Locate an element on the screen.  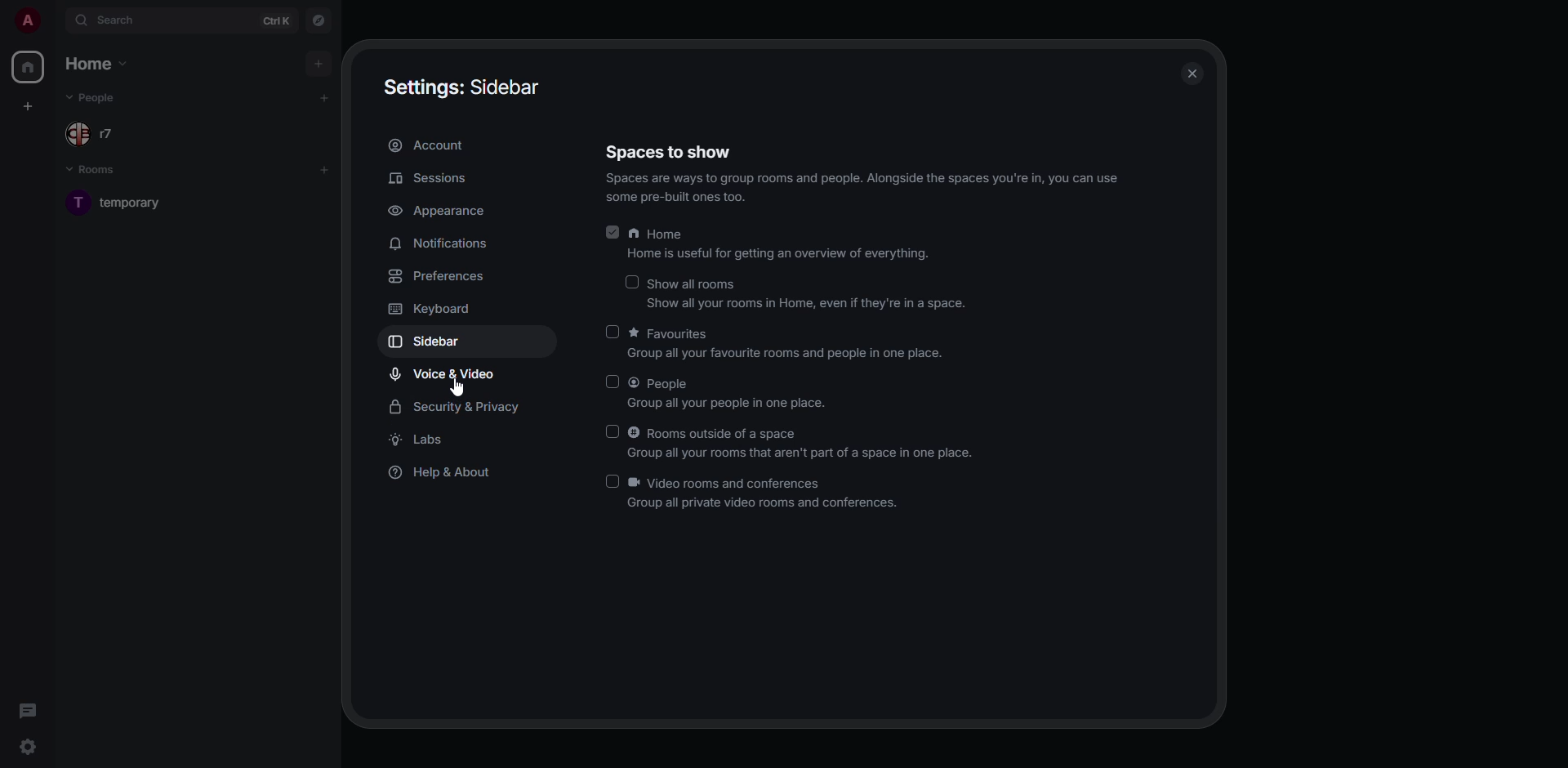
click to enable is located at coordinates (615, 431).